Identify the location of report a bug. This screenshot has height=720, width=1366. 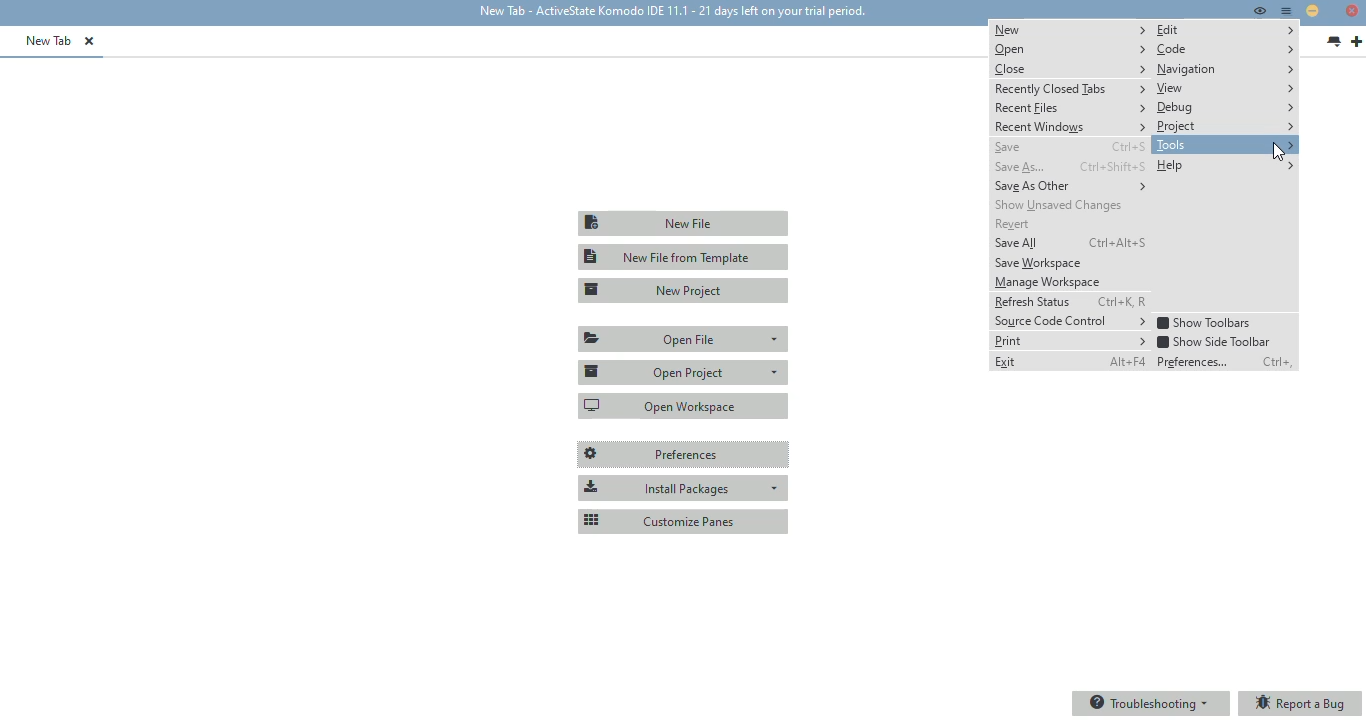
(1301, 704).